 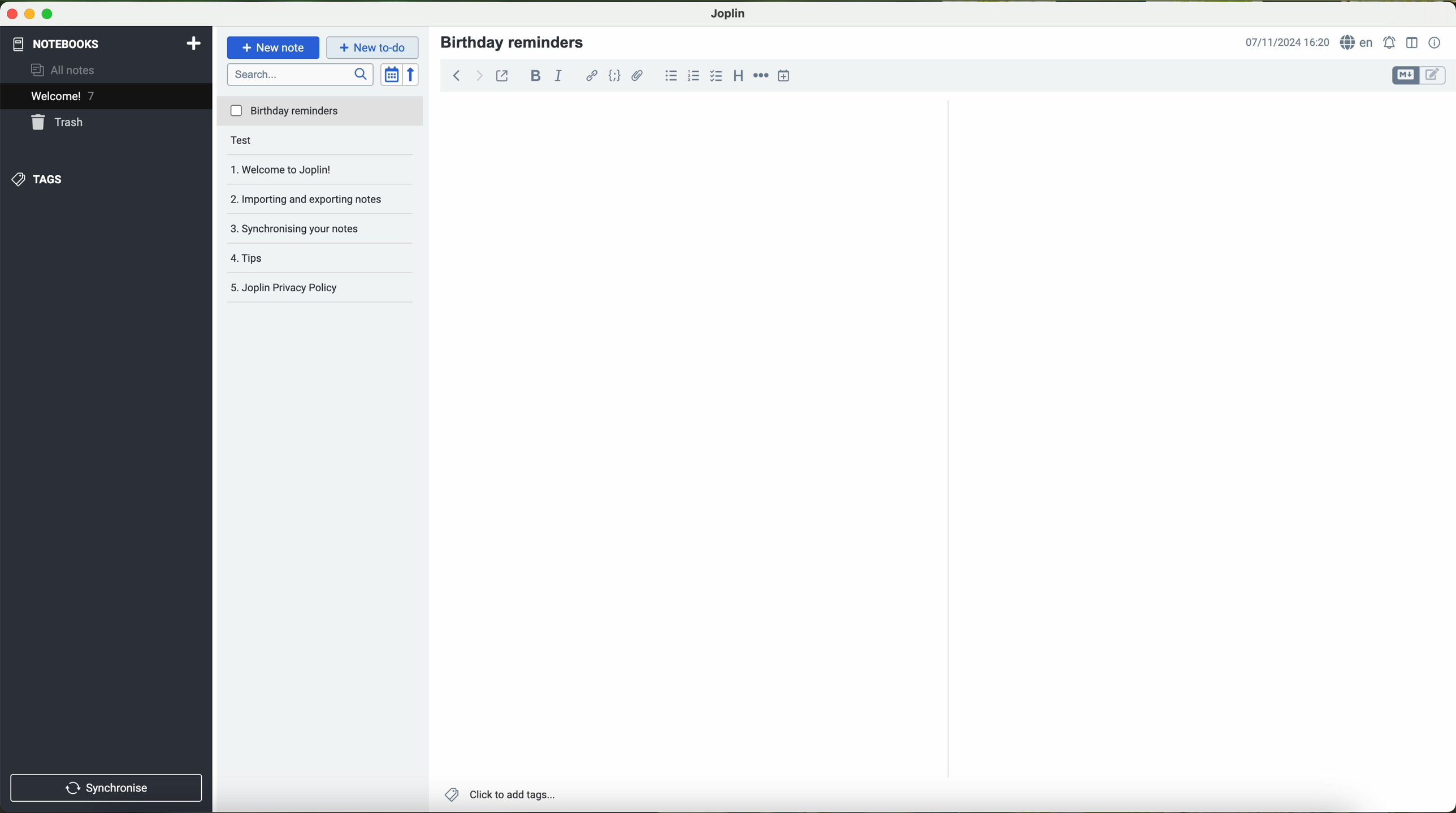 What do you see at coordinates (391, 74) in the screenshot?
I see `toggle sort order field` at bounding box center [391, 74].